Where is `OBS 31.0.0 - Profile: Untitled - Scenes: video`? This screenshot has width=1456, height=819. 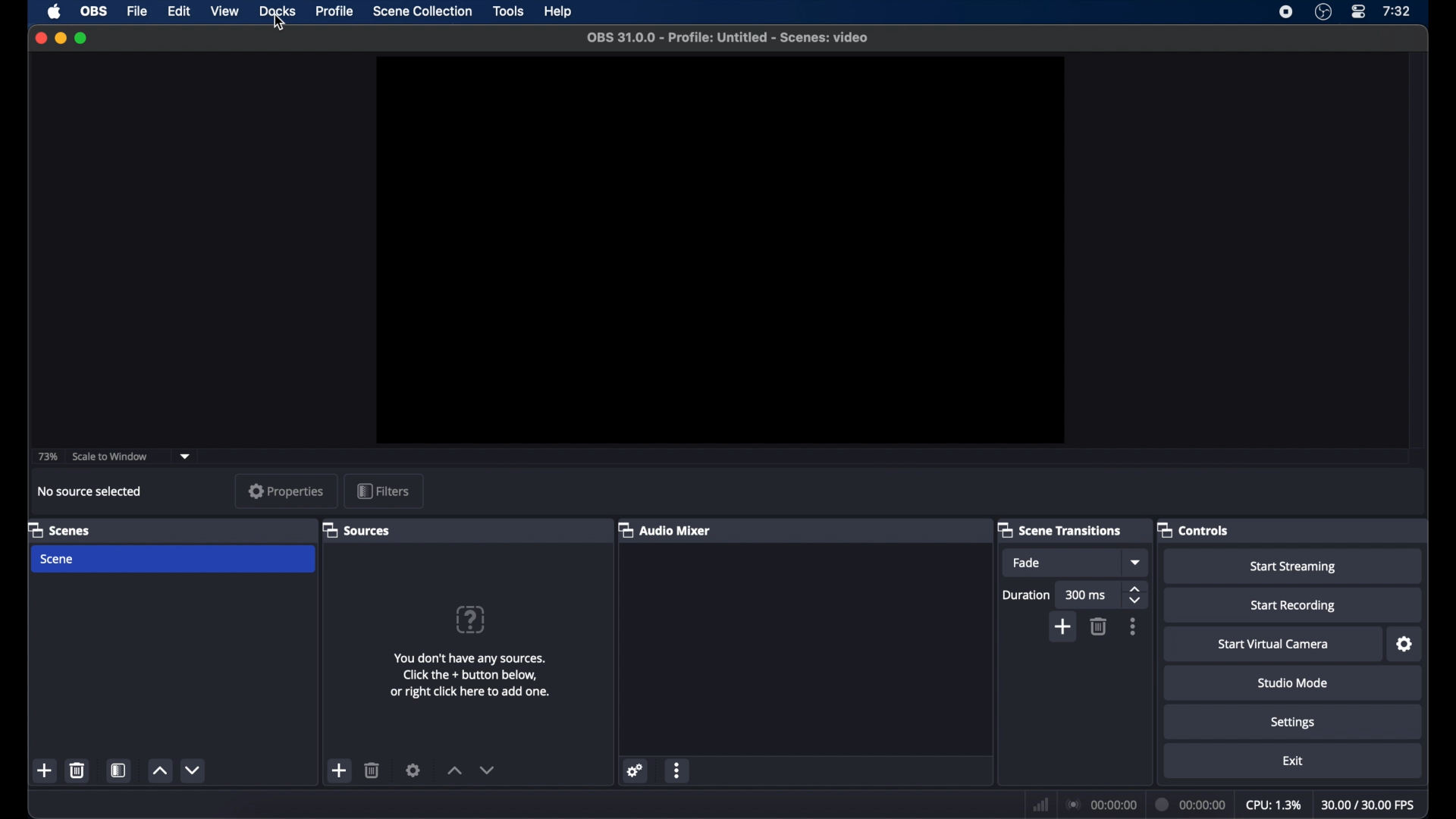 OBS 31.0.0 - Profile: Untitled - Scenes: video is located at coordinates (731, 36).